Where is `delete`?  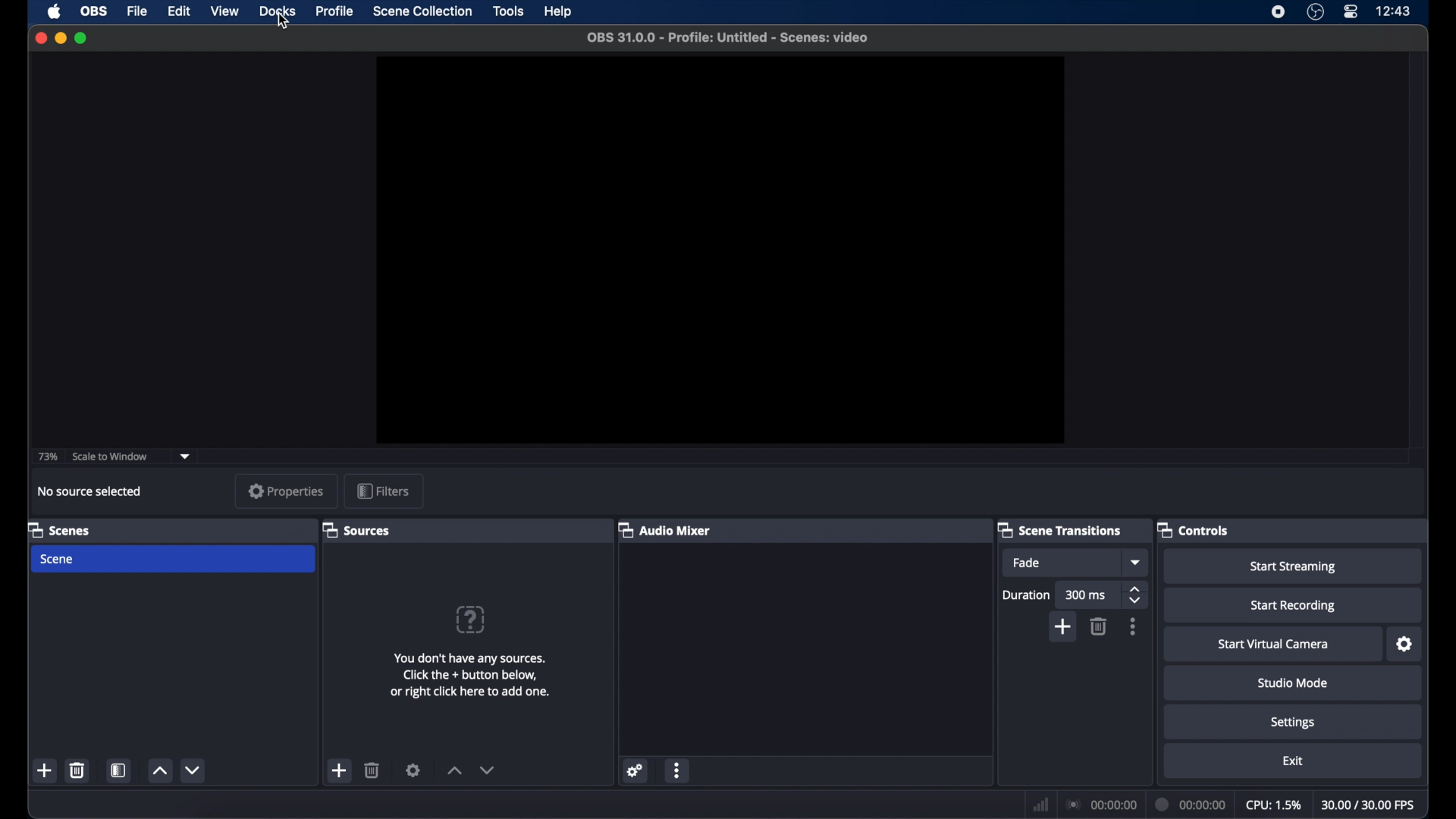
delete is located at coordinates (78, 770).